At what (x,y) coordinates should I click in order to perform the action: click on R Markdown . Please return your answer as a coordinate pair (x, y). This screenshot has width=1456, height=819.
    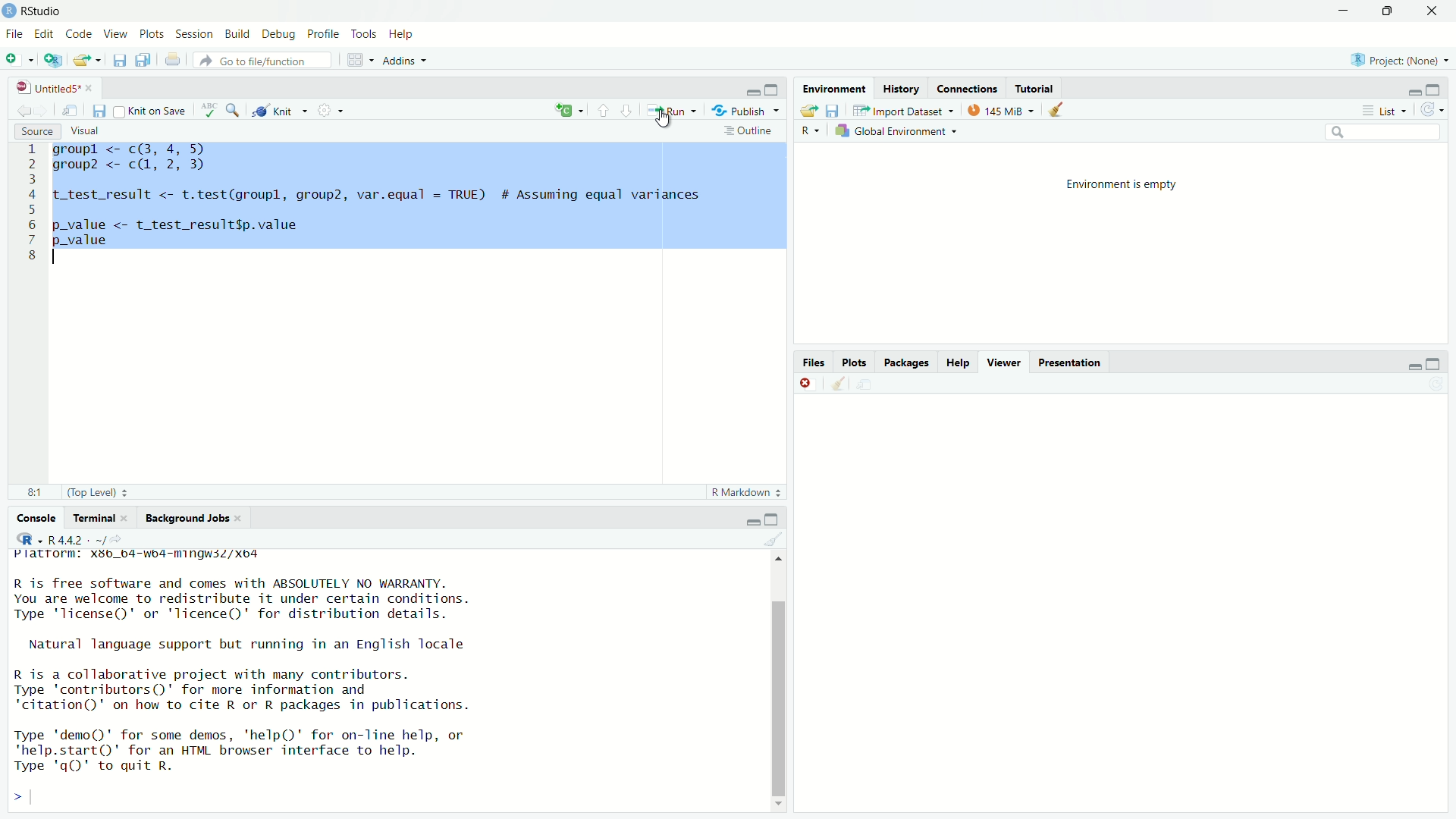
    Looking at the image, I should click on (745, 493).